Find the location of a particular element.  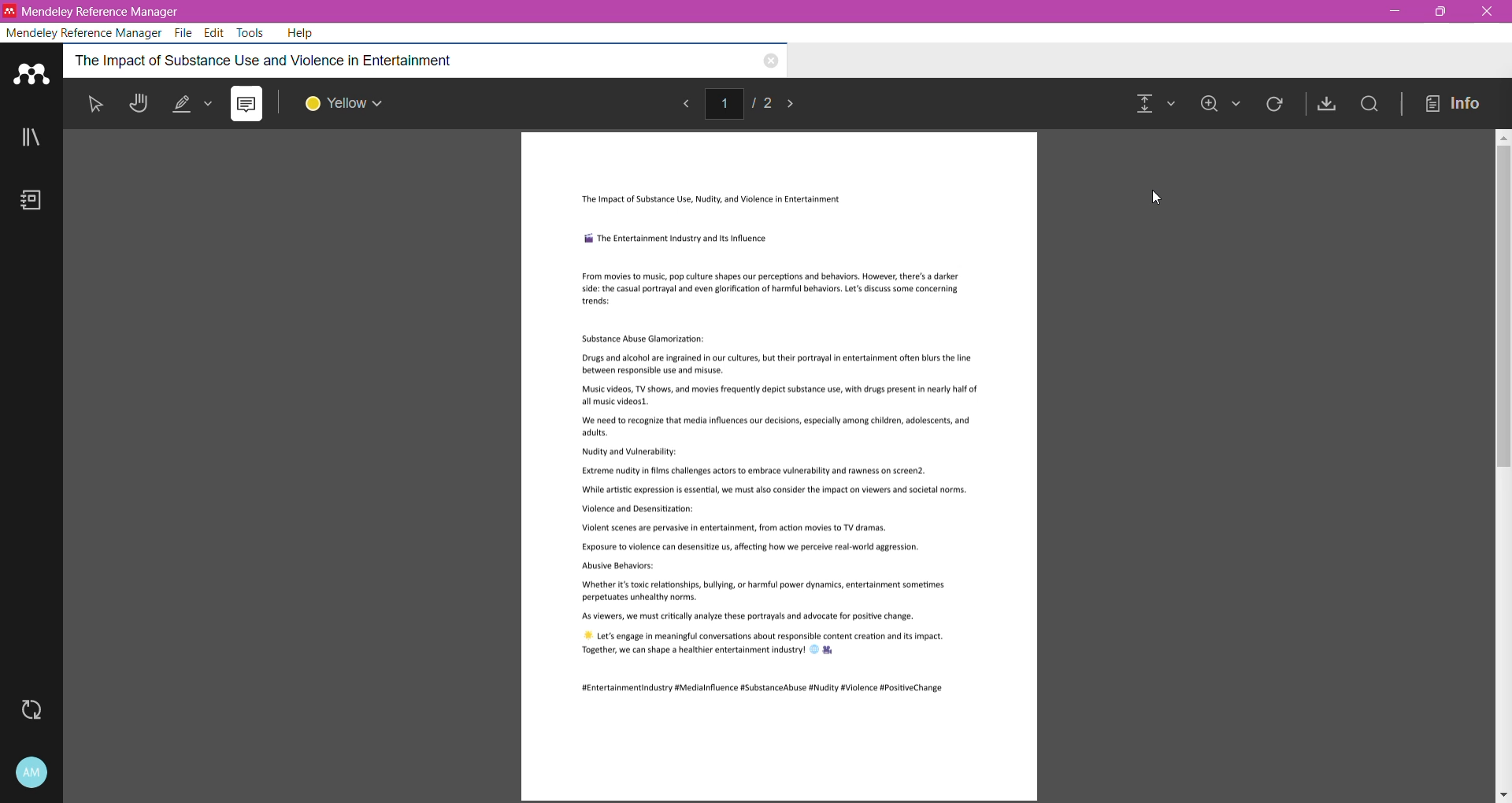

Highlight options is located at coordinates (198, 104).